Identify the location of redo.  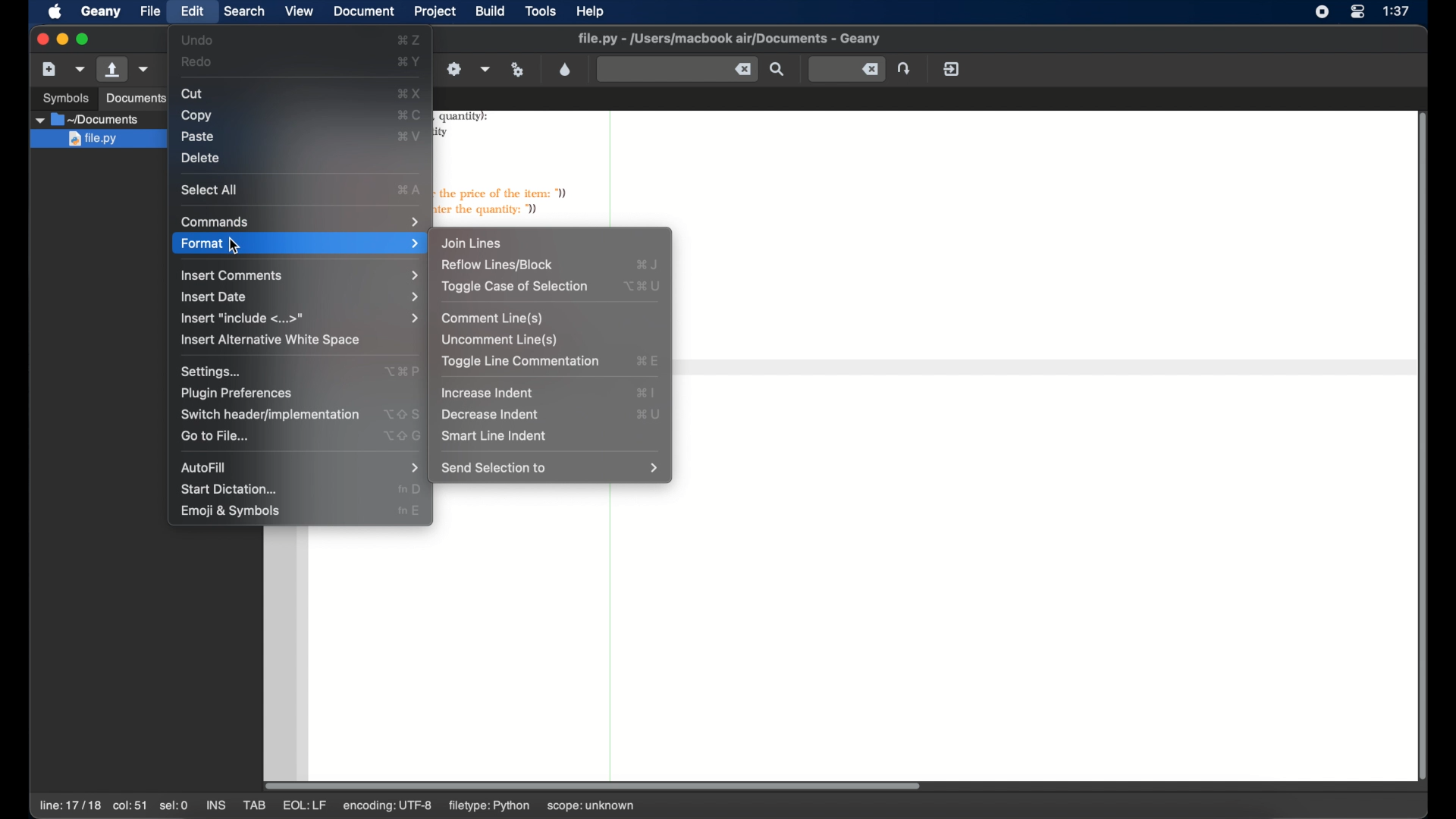
(197, 61).